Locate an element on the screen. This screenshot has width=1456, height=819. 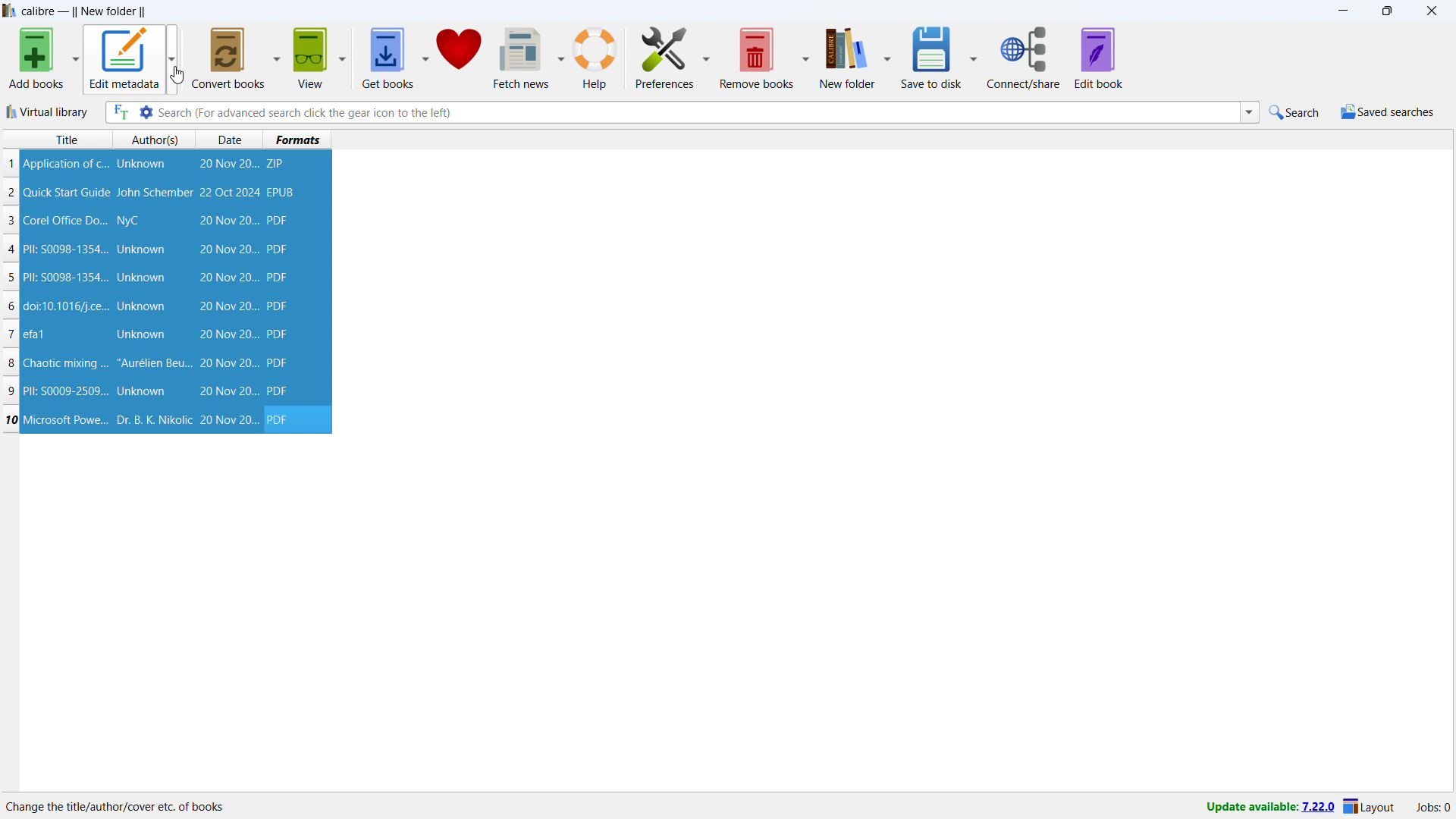
PDF is located at coordinates (276, 250).